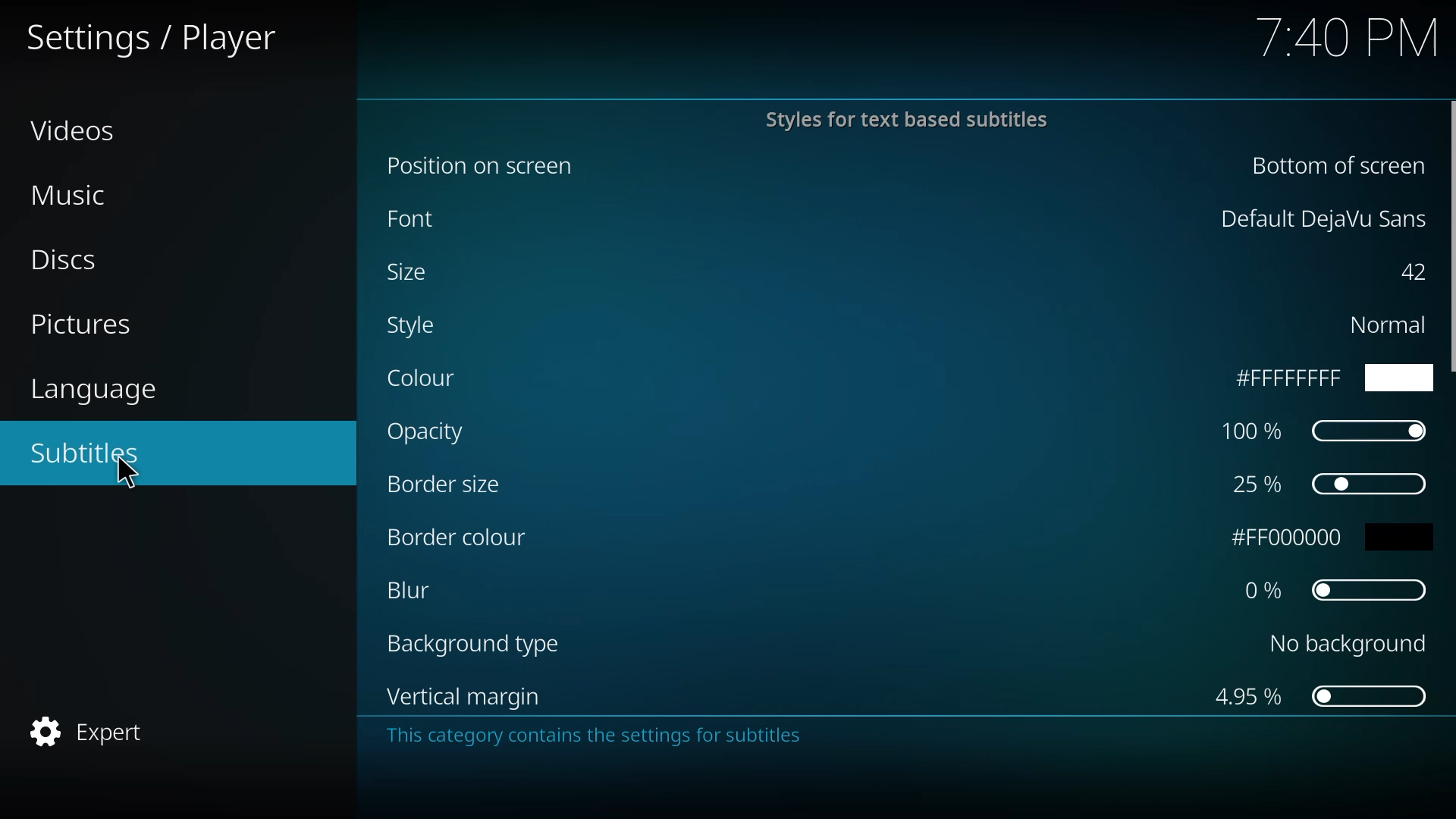 This screenshot has height=819, width=1456. I want to click on discs, so click(66, 262).